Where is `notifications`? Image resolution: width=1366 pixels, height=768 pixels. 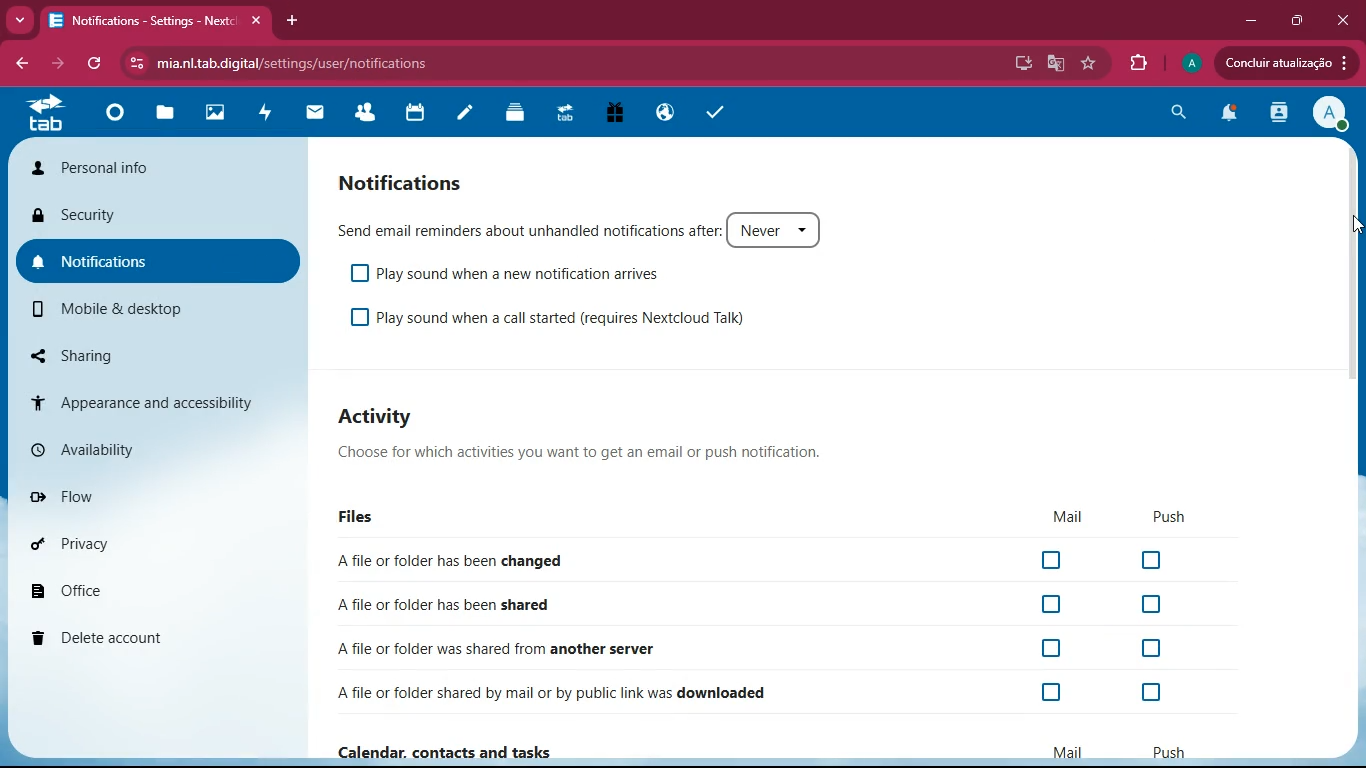
notifications is located at coordinates (149, 264).